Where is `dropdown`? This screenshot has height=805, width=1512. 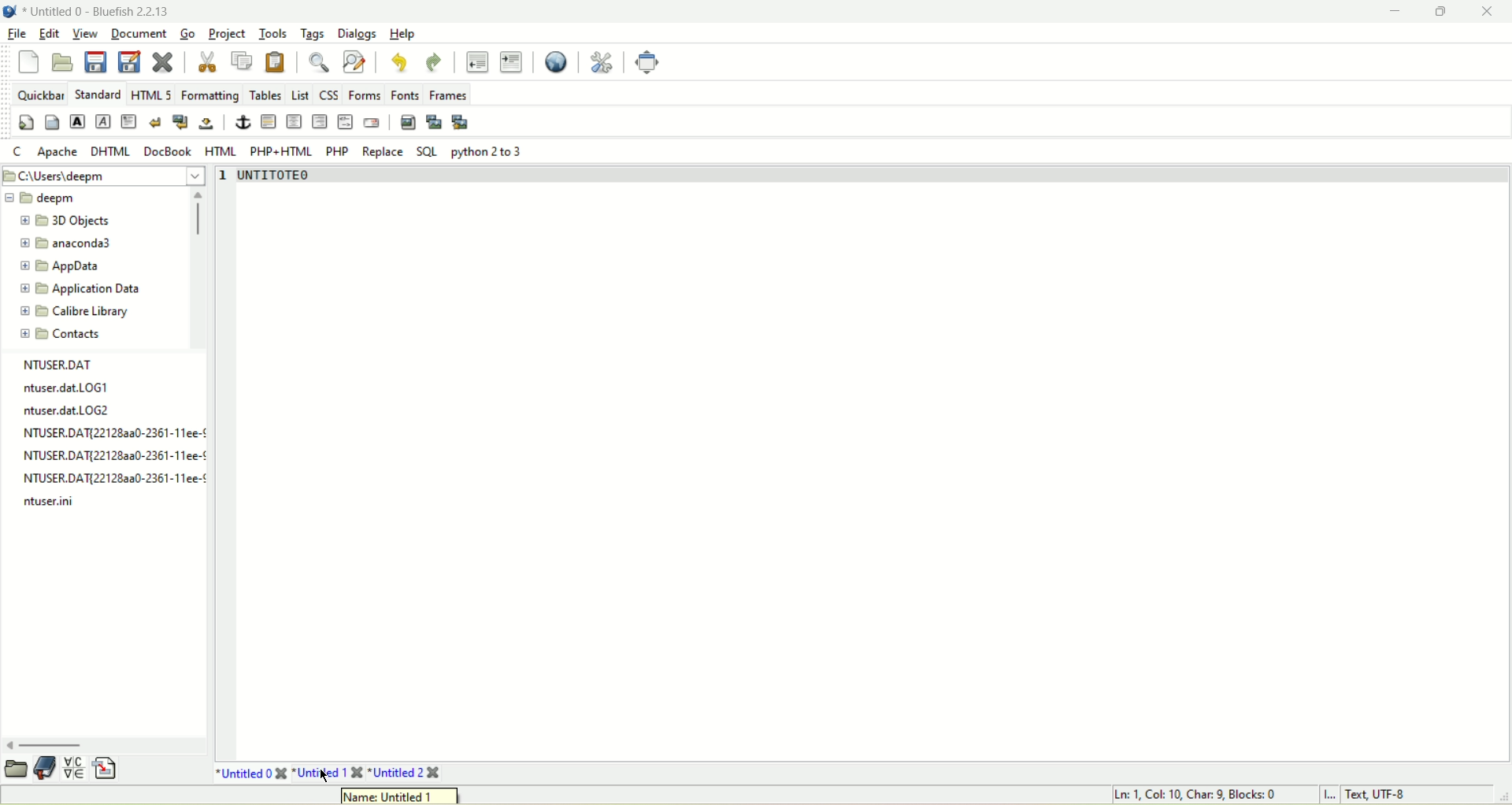
dropdown is located at coordinates (195, 175).